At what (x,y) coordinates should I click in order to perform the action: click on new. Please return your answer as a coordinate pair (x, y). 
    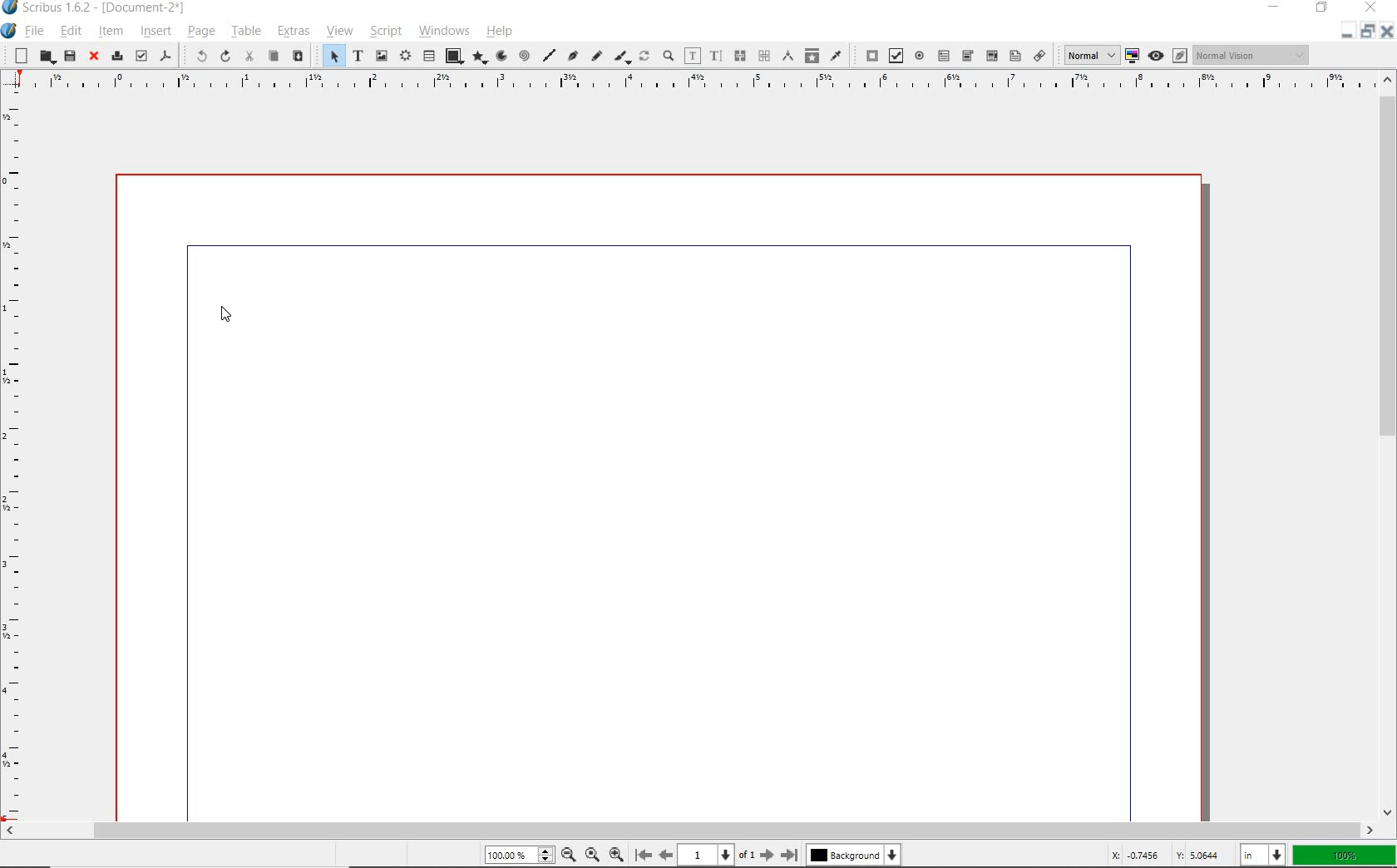
    Looking at the image, I should click on (17, 55).